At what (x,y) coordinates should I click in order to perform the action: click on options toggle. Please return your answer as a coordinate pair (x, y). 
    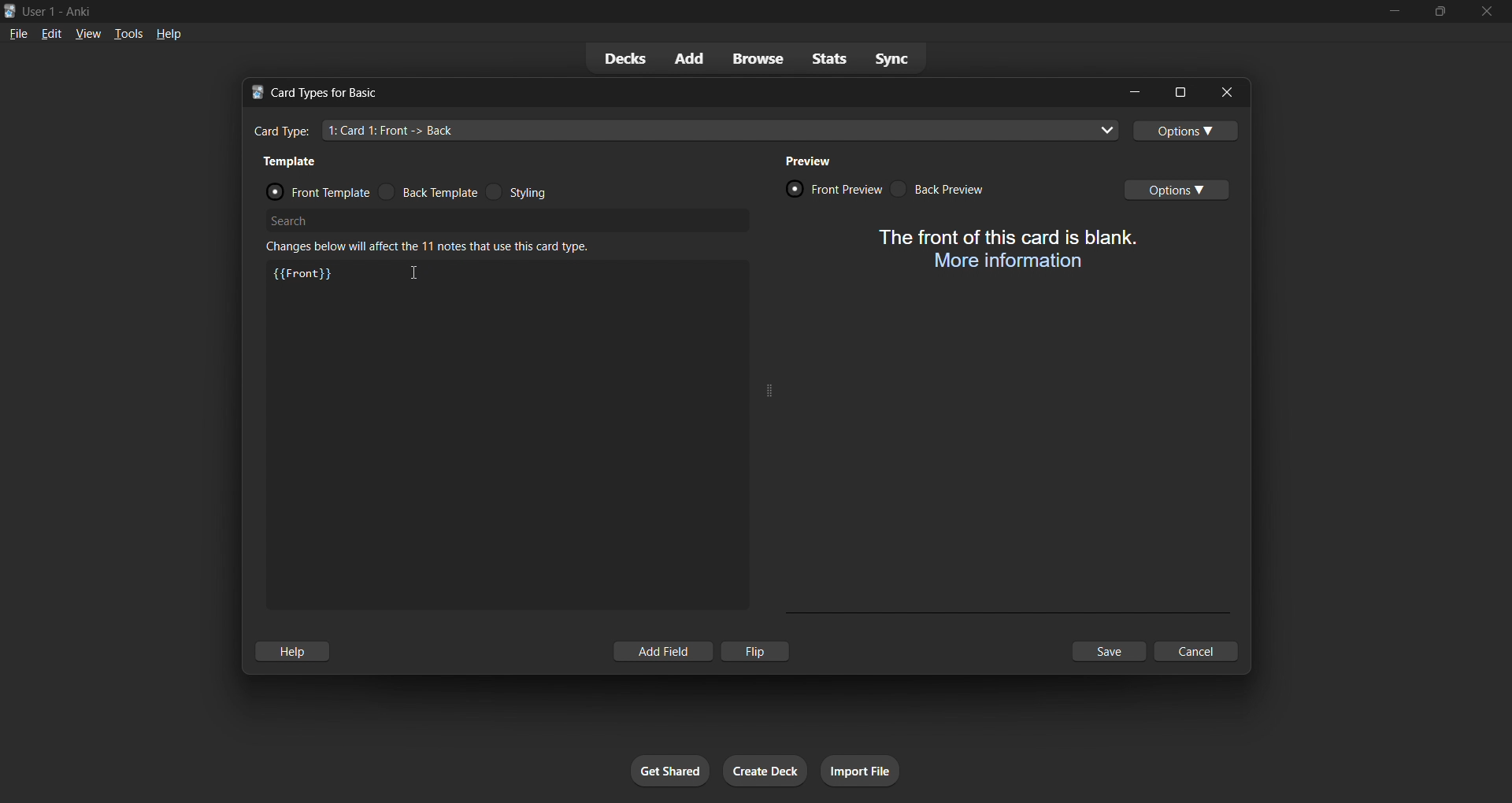
    Looking at the image, I should click on (1188, 132).